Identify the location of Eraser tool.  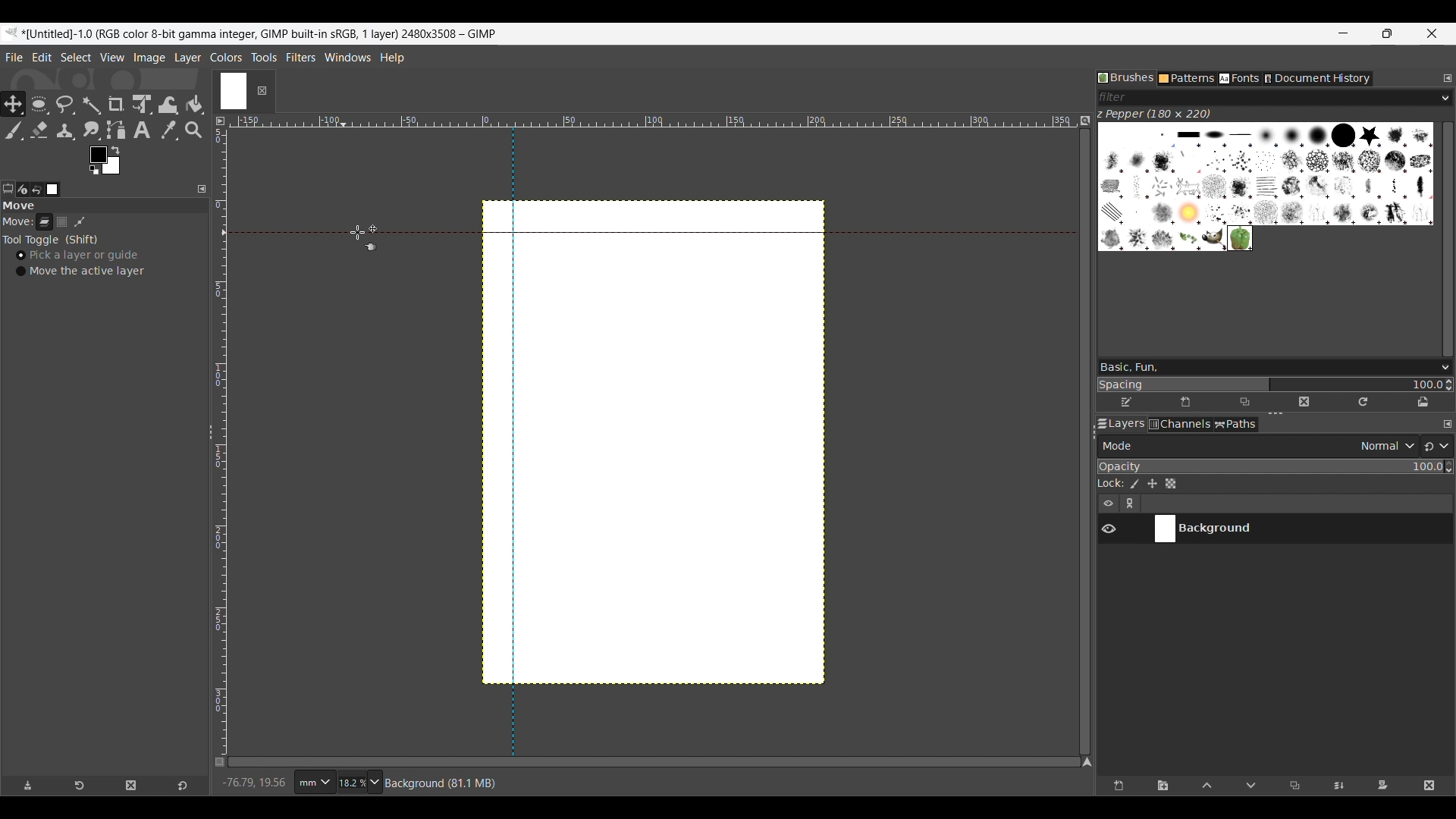
(38, 130).